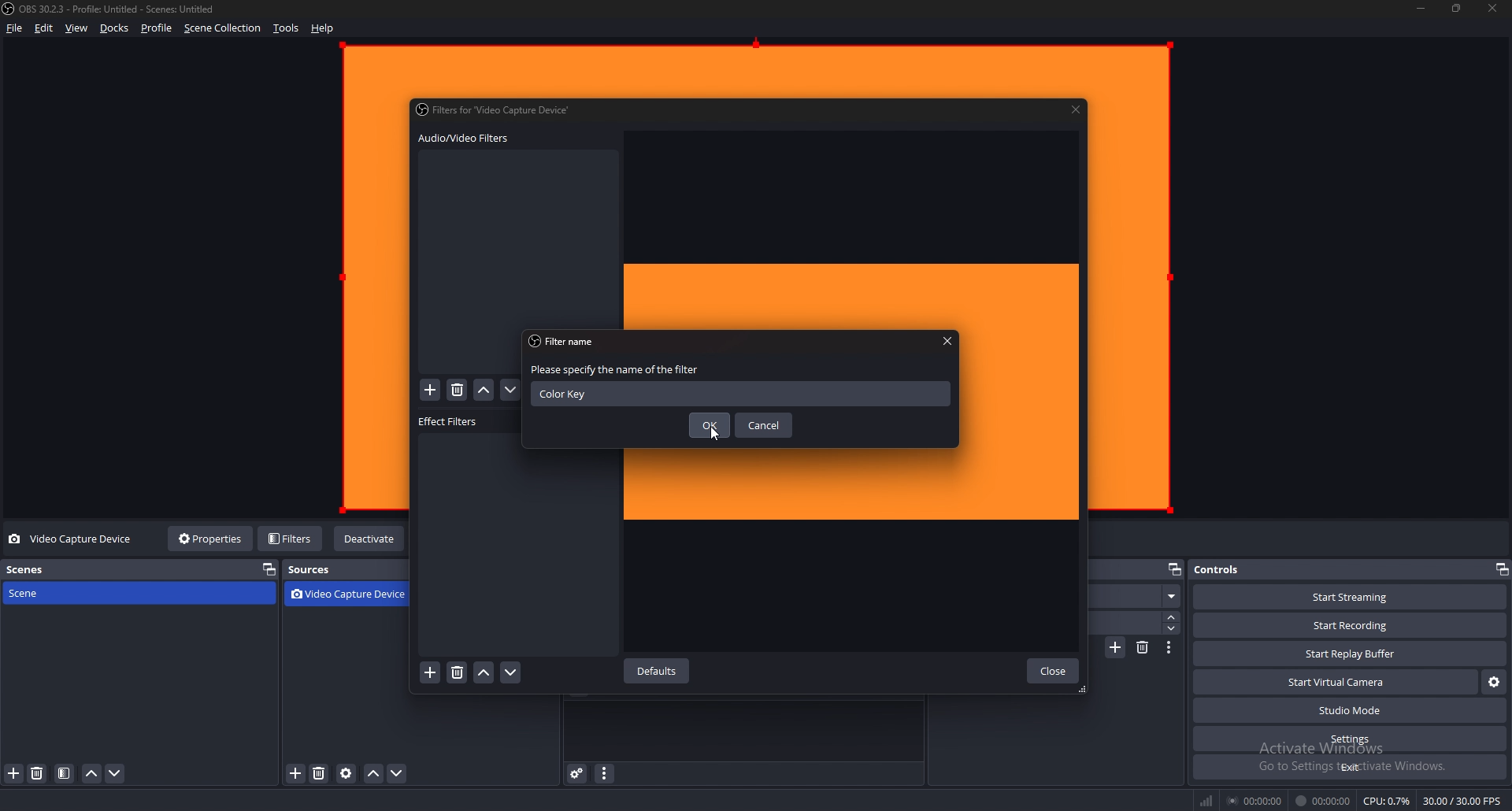 Image resolution: width=1512 pixels, height=811 pixels. Describe the element at coordinates (223, 28) in the screenshot. I see `scene collection` at that location.